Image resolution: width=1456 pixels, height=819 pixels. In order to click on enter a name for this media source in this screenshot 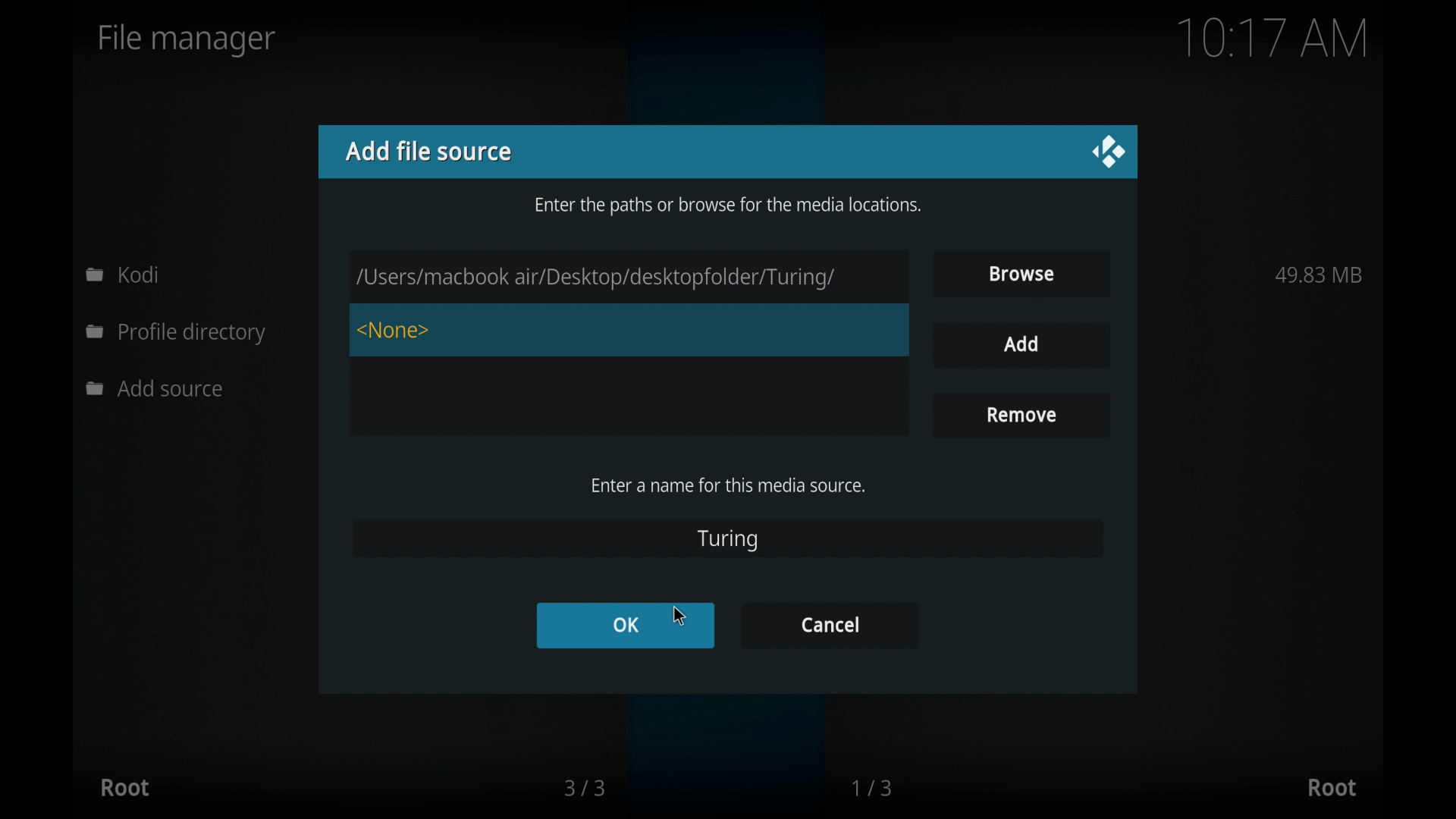, I will do `click(727, 485)`.